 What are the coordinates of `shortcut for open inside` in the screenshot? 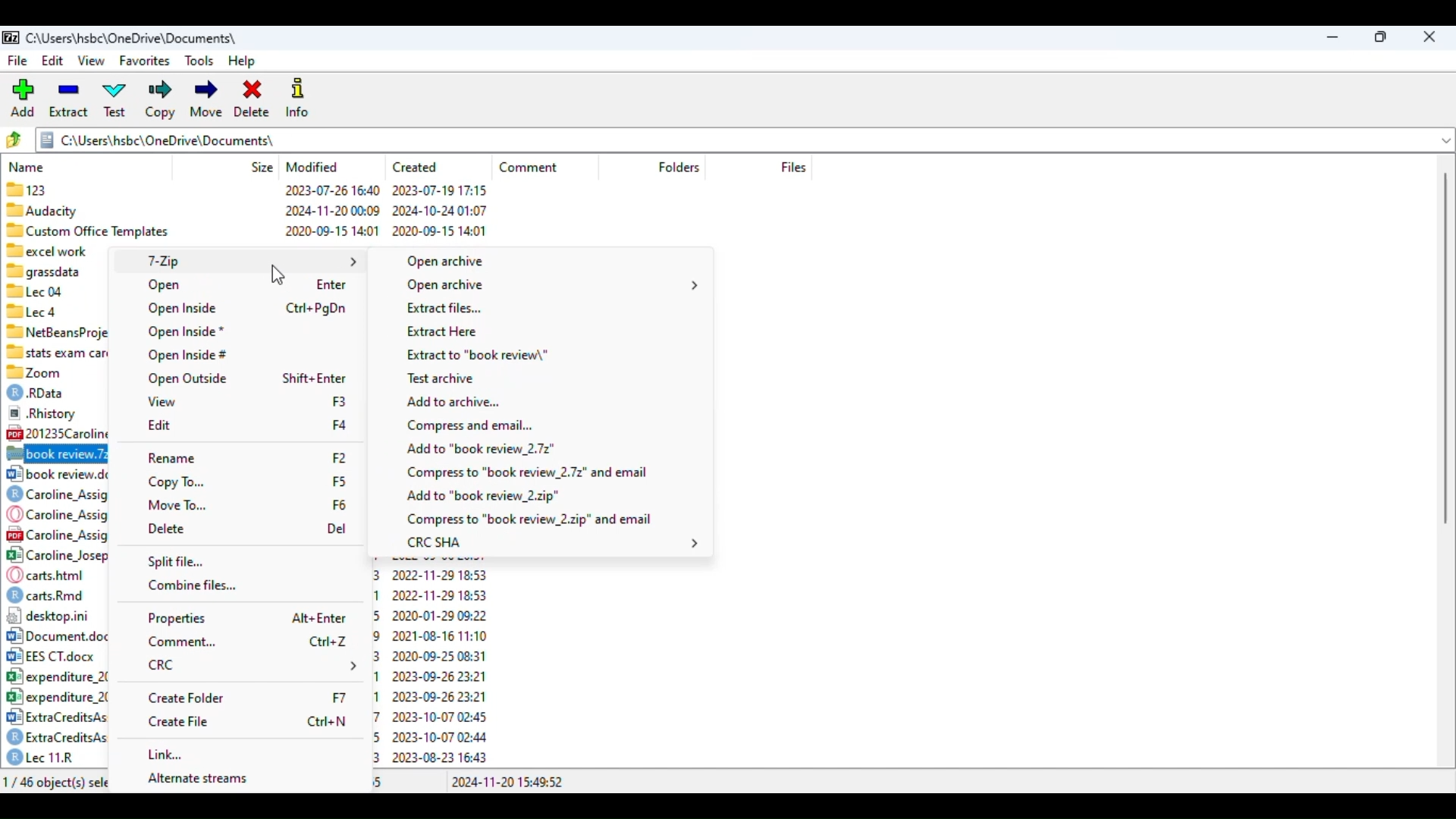 It's located at (317, 309).